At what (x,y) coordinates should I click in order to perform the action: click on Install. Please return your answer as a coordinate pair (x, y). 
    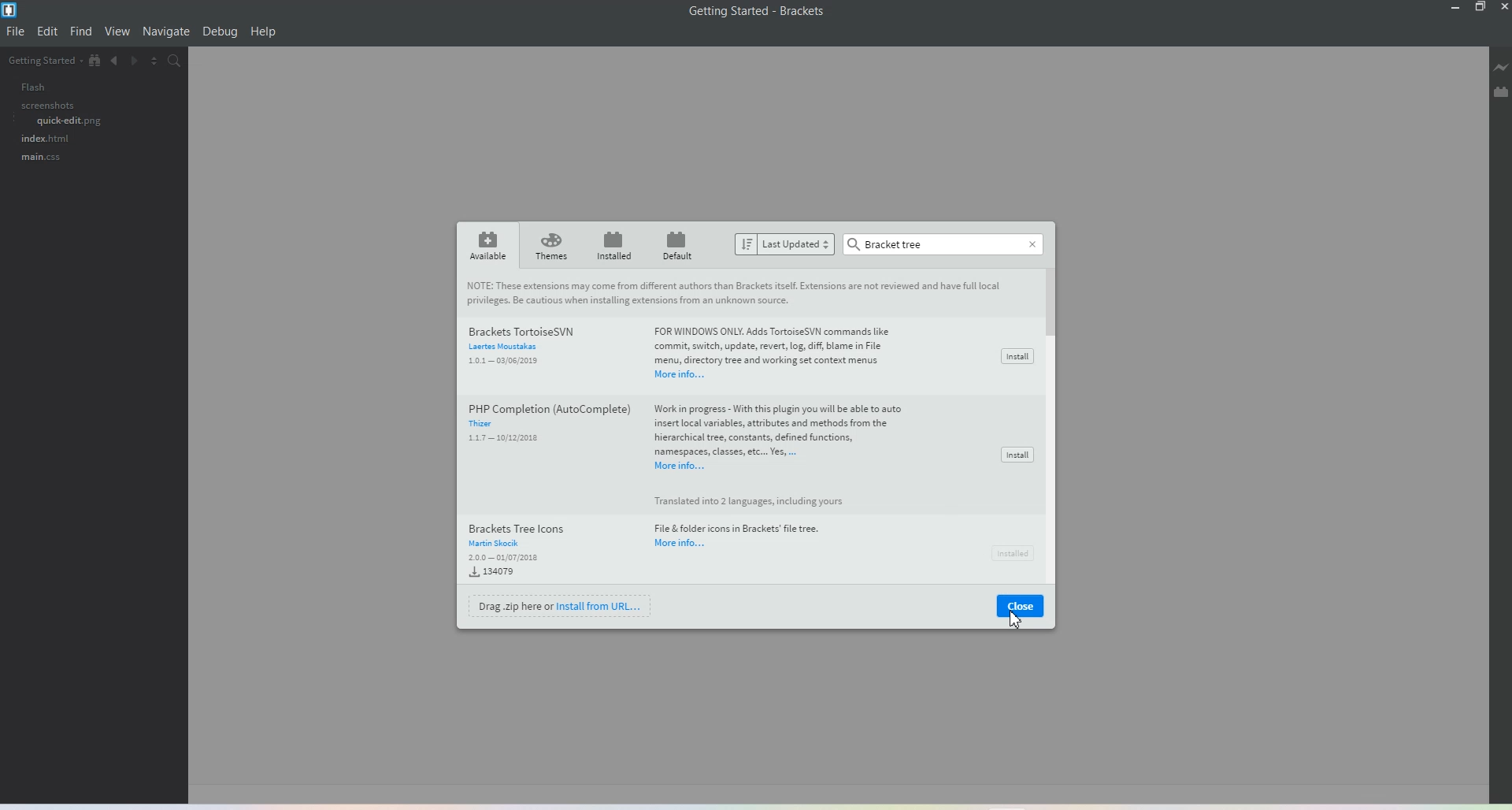
    Looking at the image, I should click on (1017, 455).